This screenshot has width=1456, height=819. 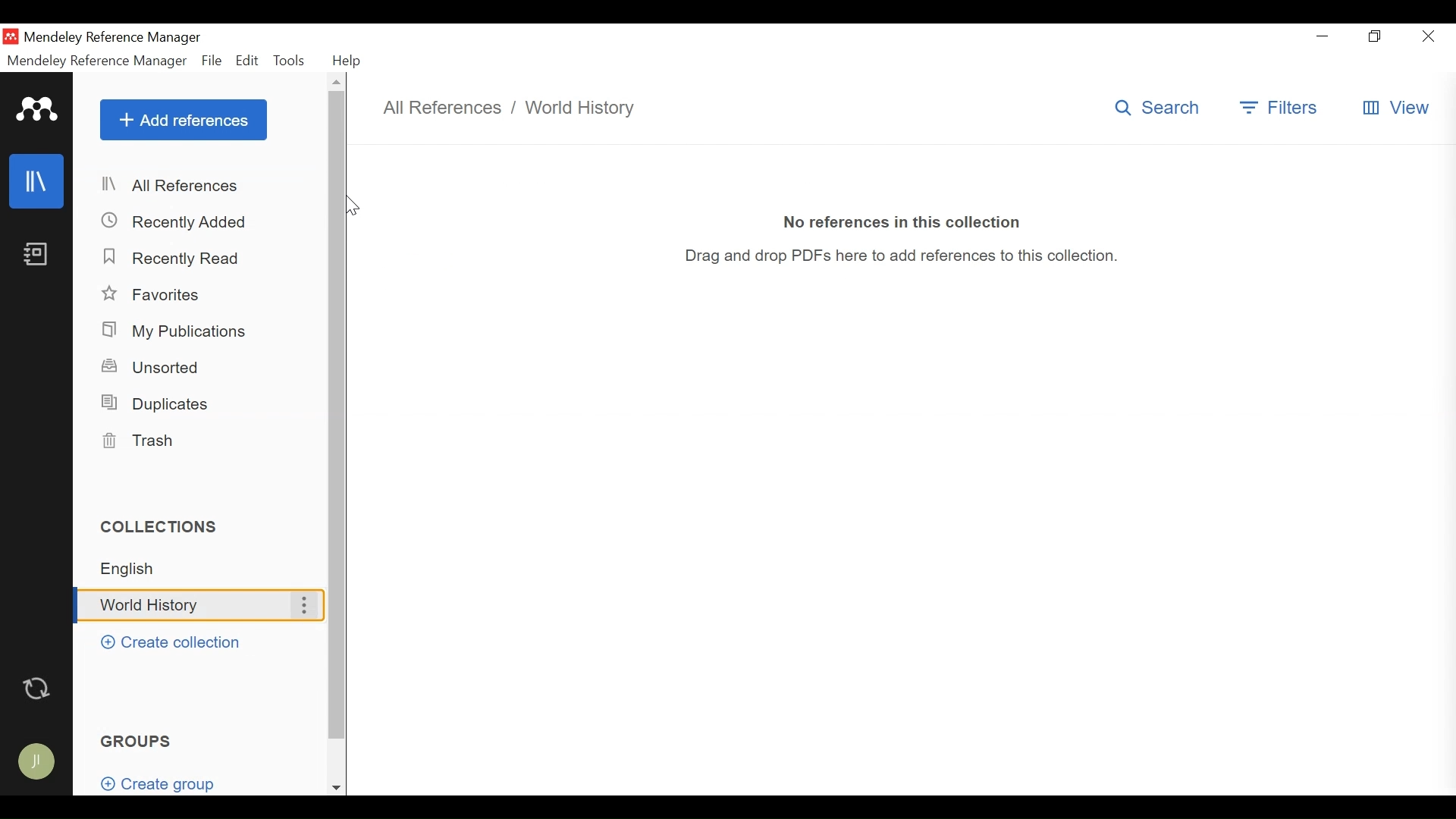 I want to click on My Publications, so click(x=178, y=331).